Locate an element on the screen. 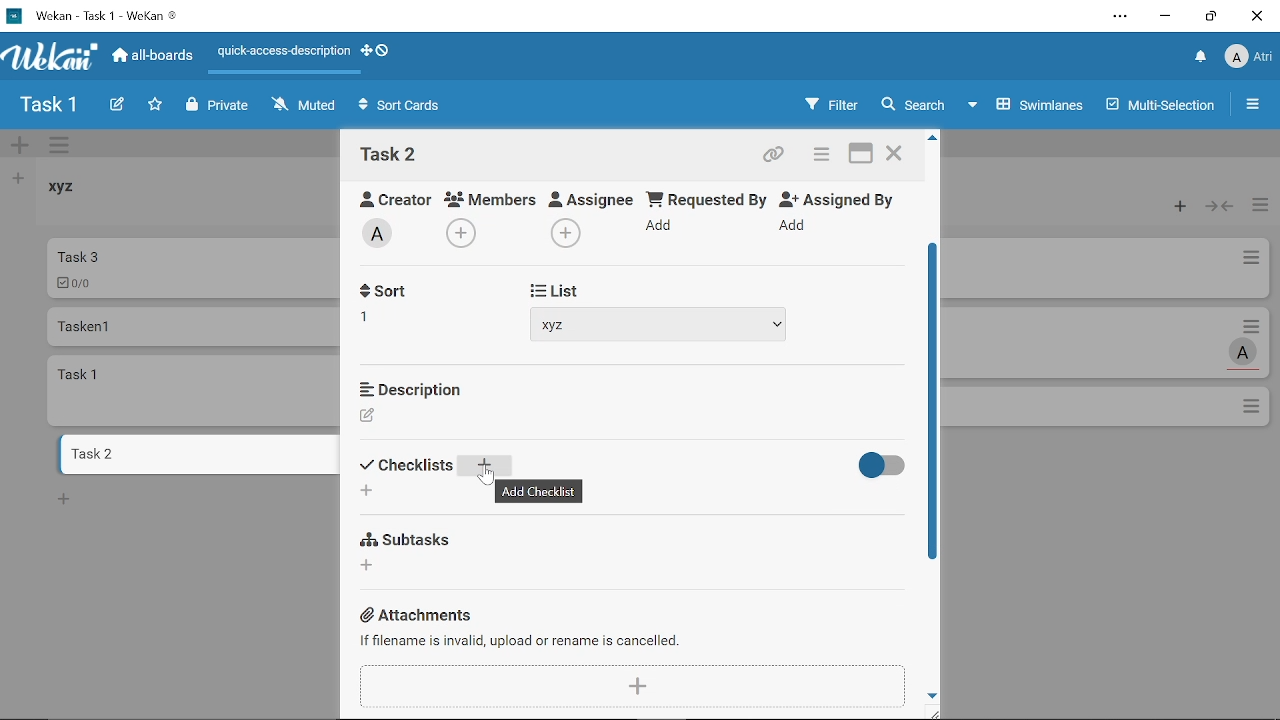  Received is located at coordinates (405, 293).